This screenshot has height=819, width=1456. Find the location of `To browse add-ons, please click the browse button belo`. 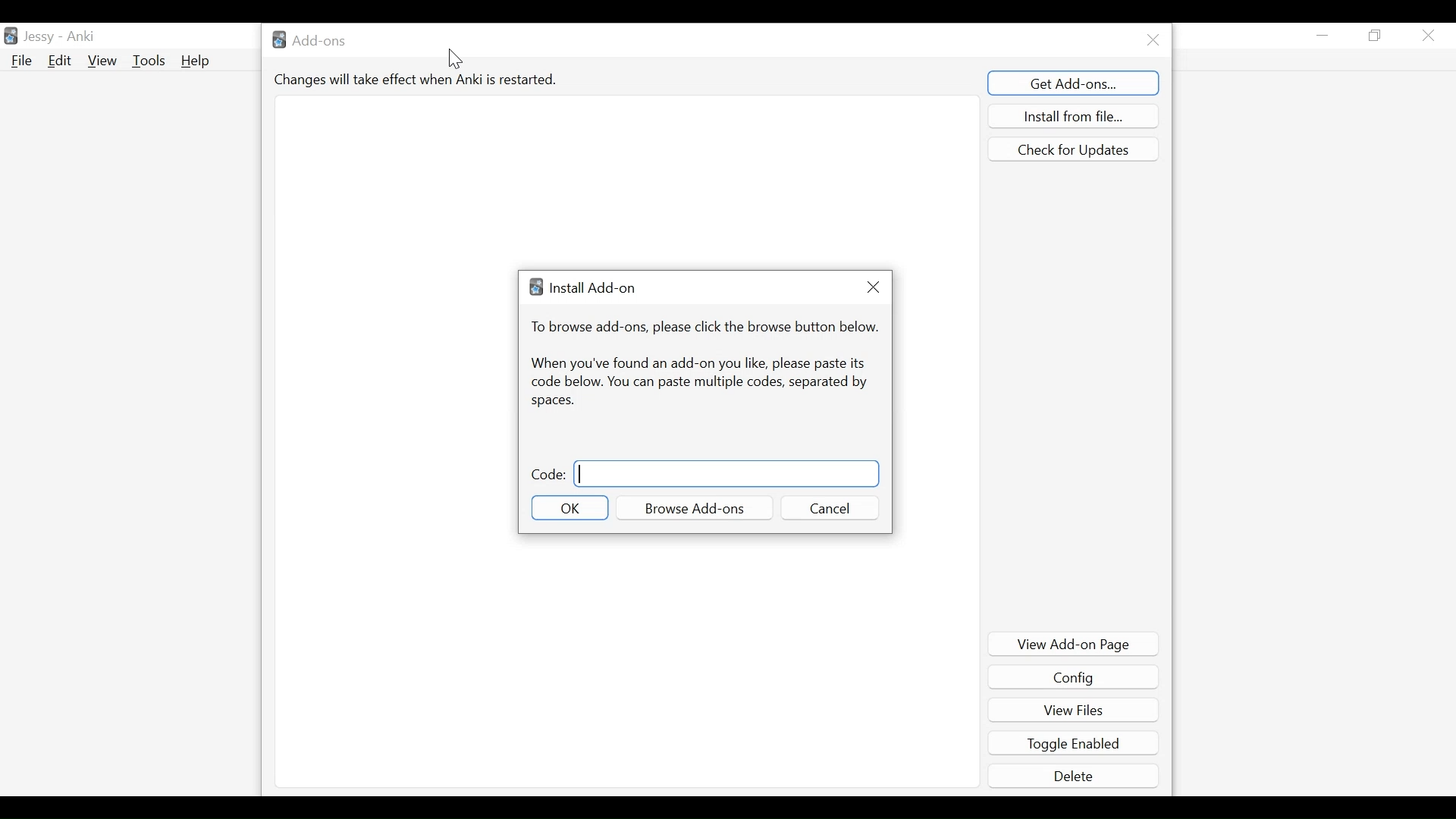

To browse add-ons, please click the browse button belo is located at coordinates (704, 327).